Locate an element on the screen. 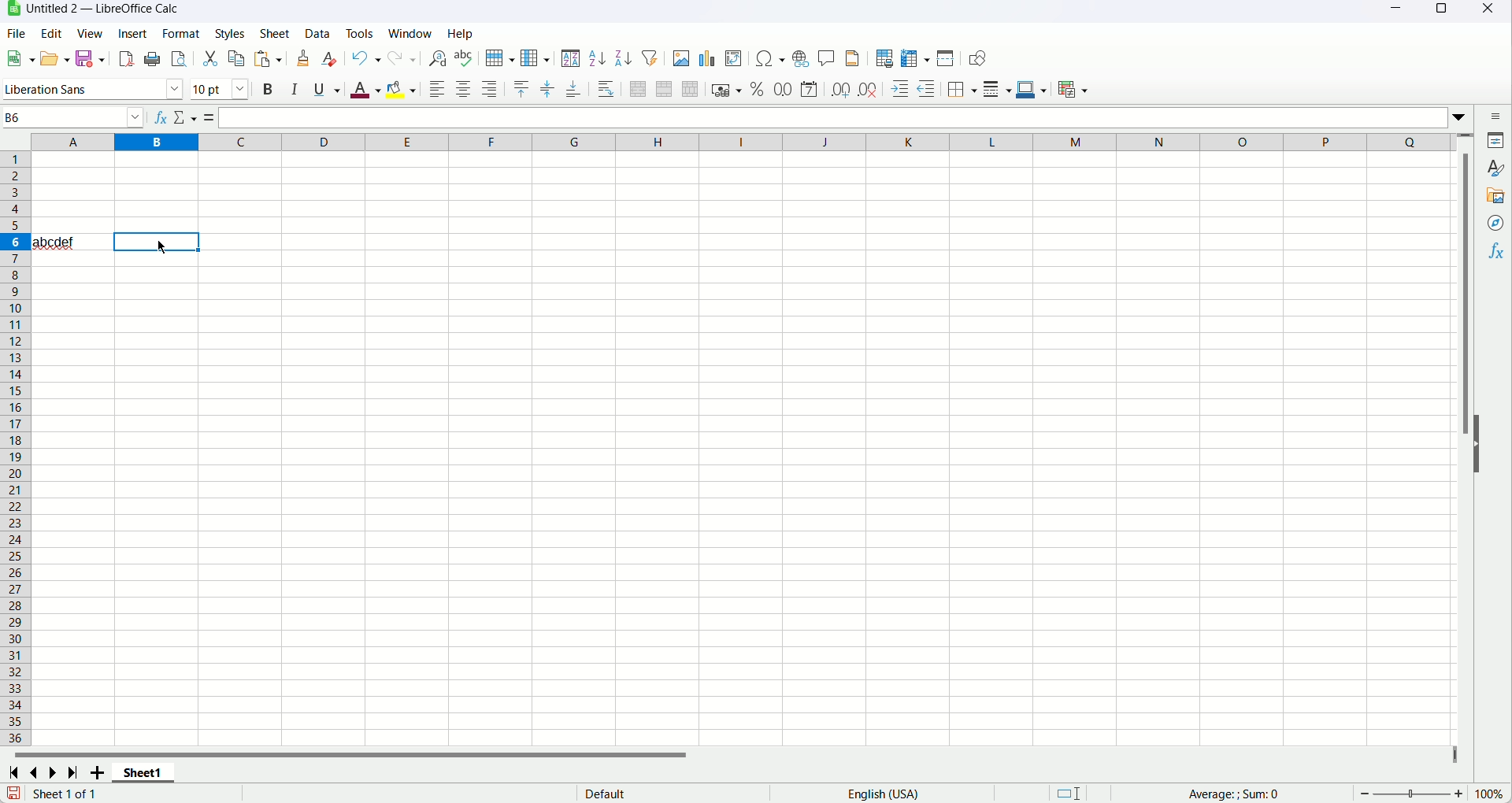 The width and height of the screenshot is (1512, 803). scroll to next sheet is located at coordinates (56, 772).